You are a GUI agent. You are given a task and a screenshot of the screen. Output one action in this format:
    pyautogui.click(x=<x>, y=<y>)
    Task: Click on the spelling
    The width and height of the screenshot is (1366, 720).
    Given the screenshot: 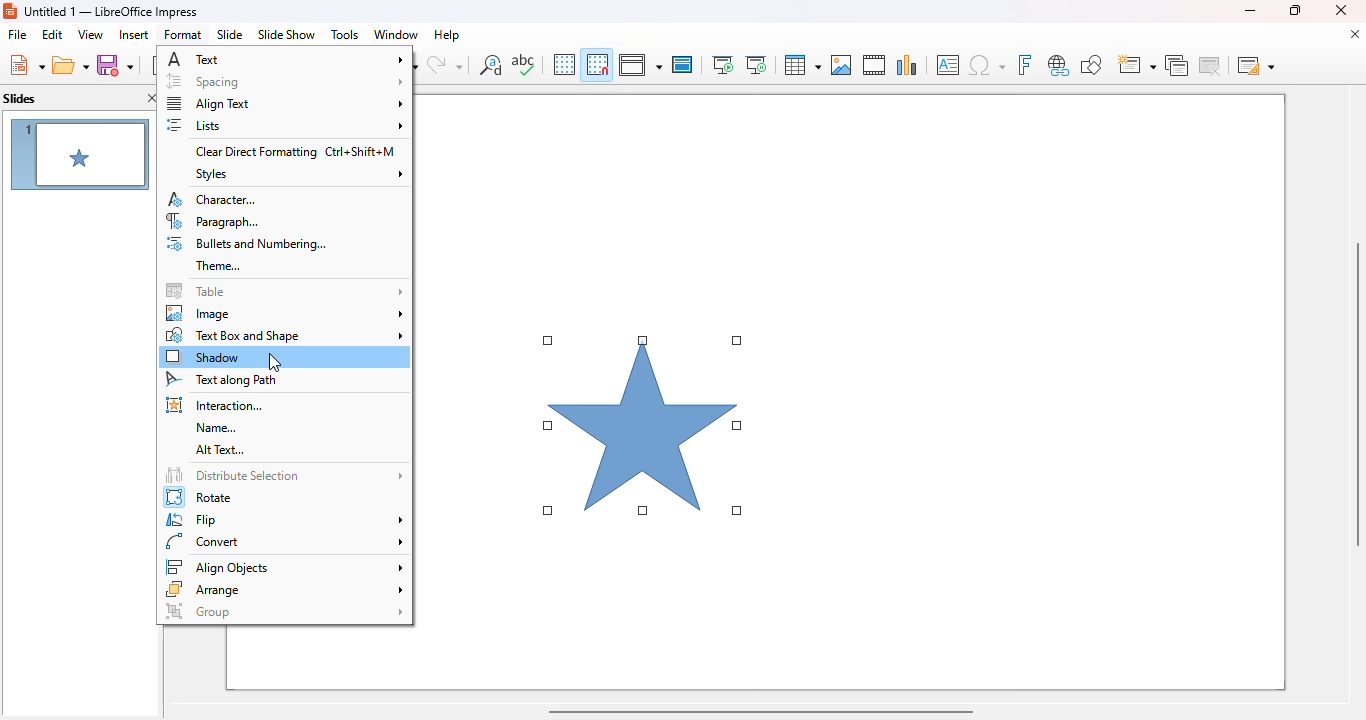 What is the action you would take?
    pyautogui.click(x=523, y=64)
    